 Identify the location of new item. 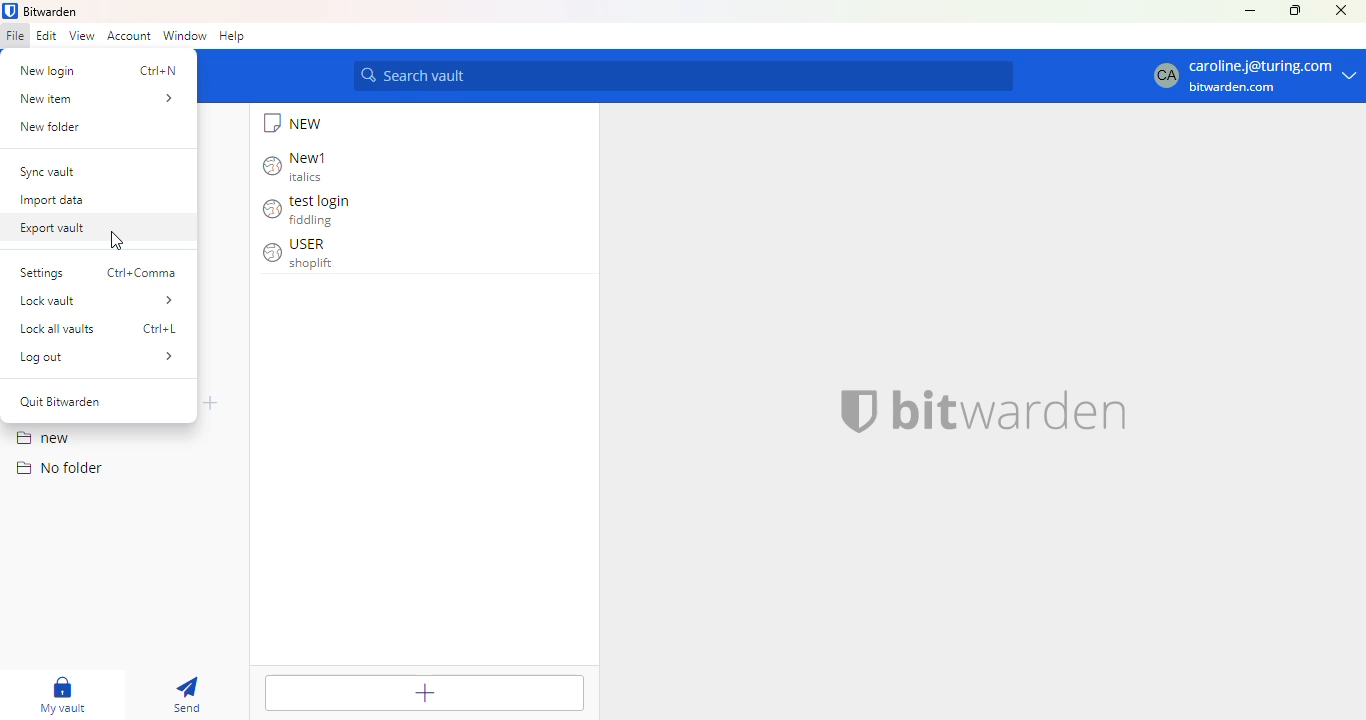
(99, 99).